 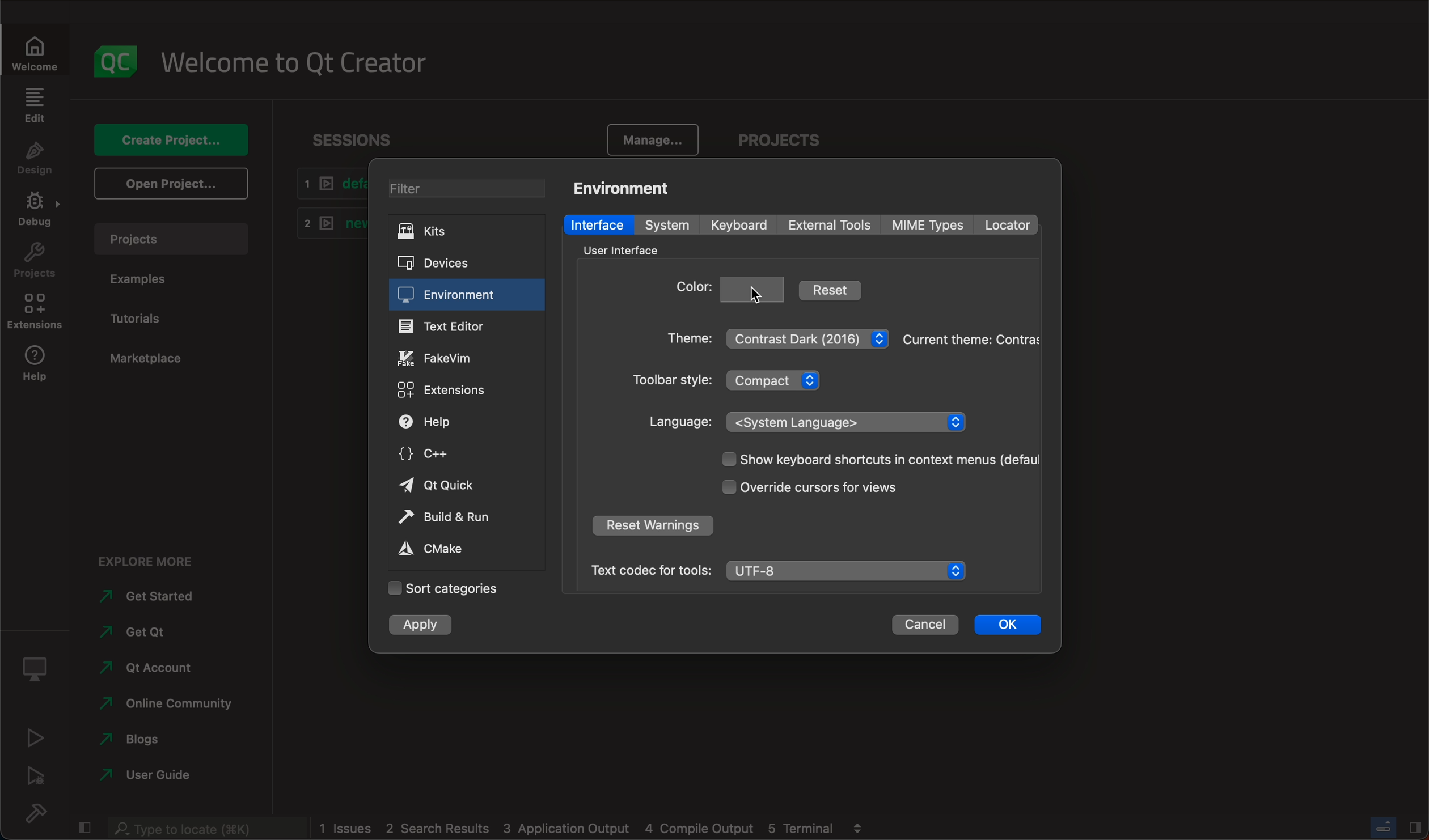 I want to click on color, so click(x=692, y=290).